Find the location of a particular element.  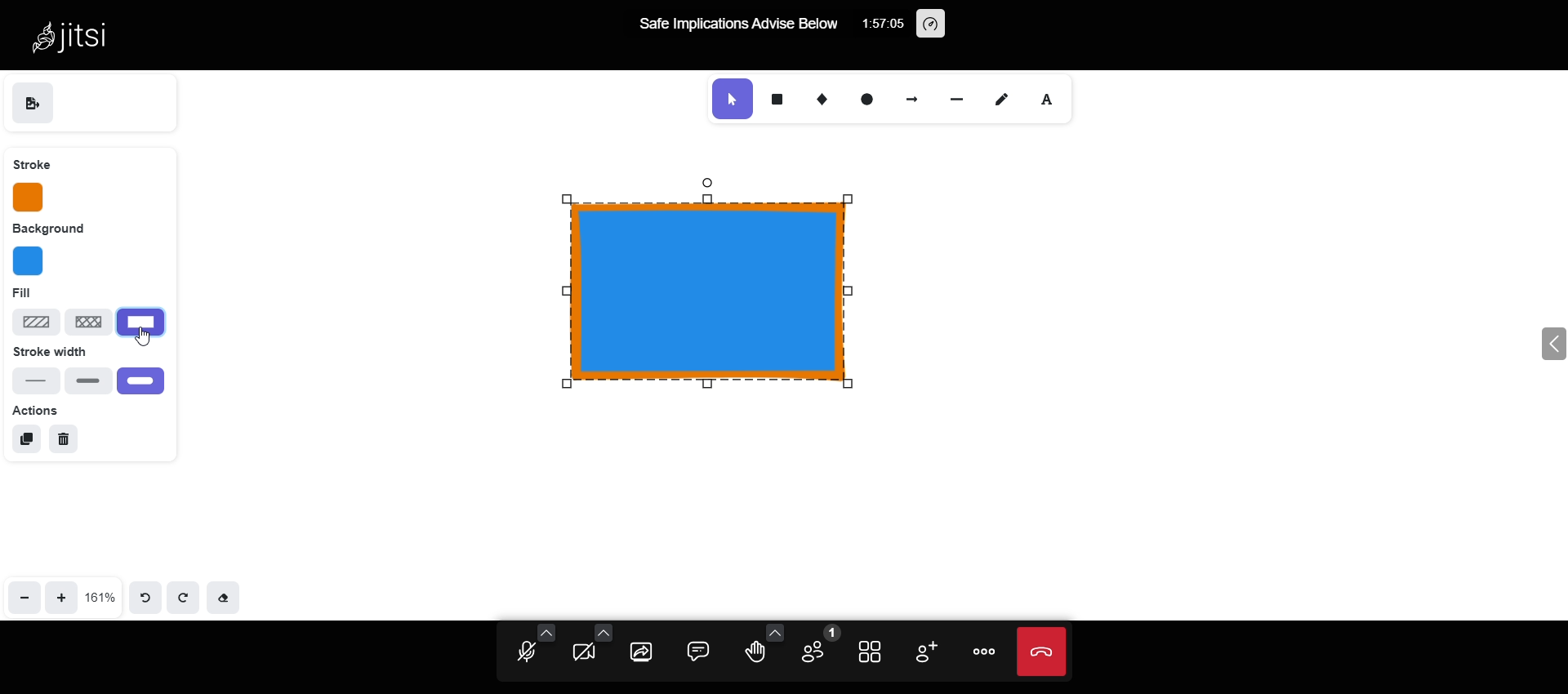

redo is located at coordinates (185, 593).